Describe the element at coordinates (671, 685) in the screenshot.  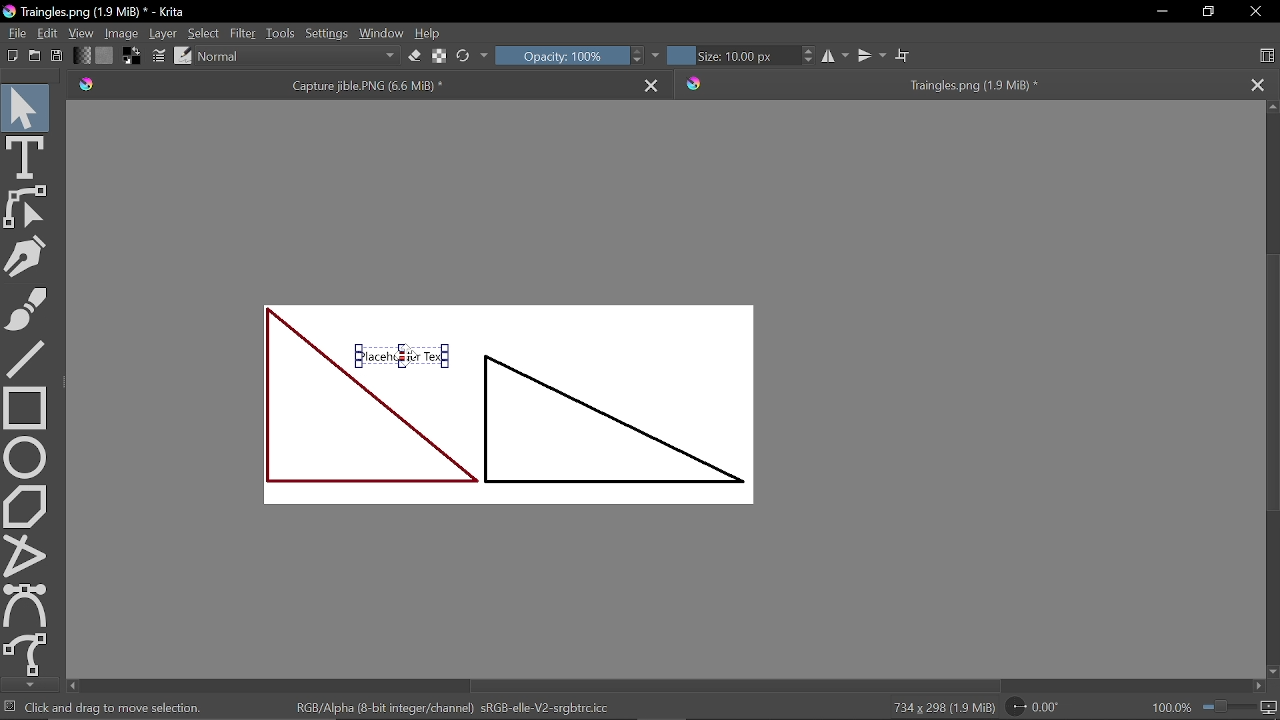
I see `Horizontal scrollbar` at that location.